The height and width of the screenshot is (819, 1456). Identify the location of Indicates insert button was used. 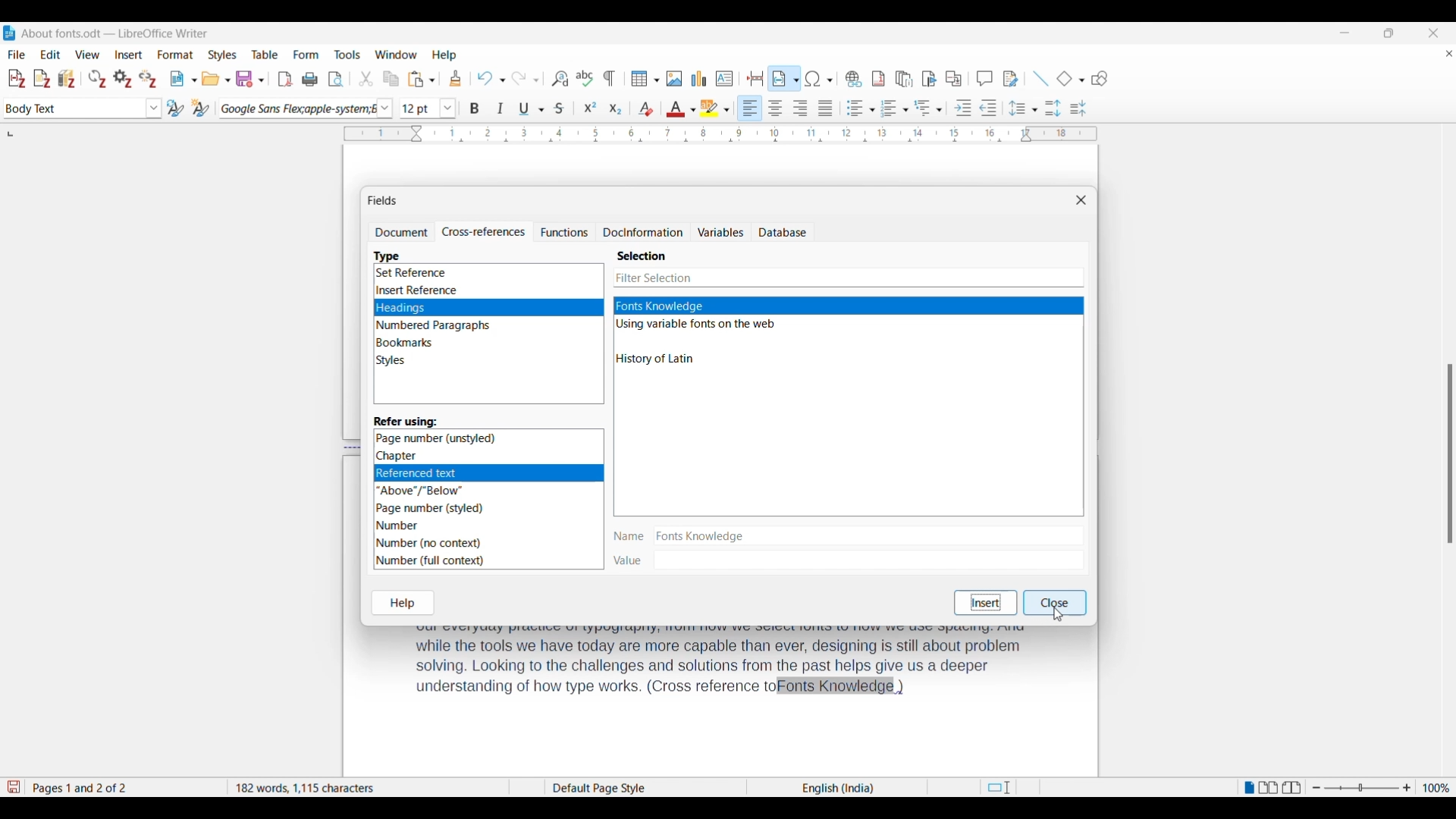
(984, 602).